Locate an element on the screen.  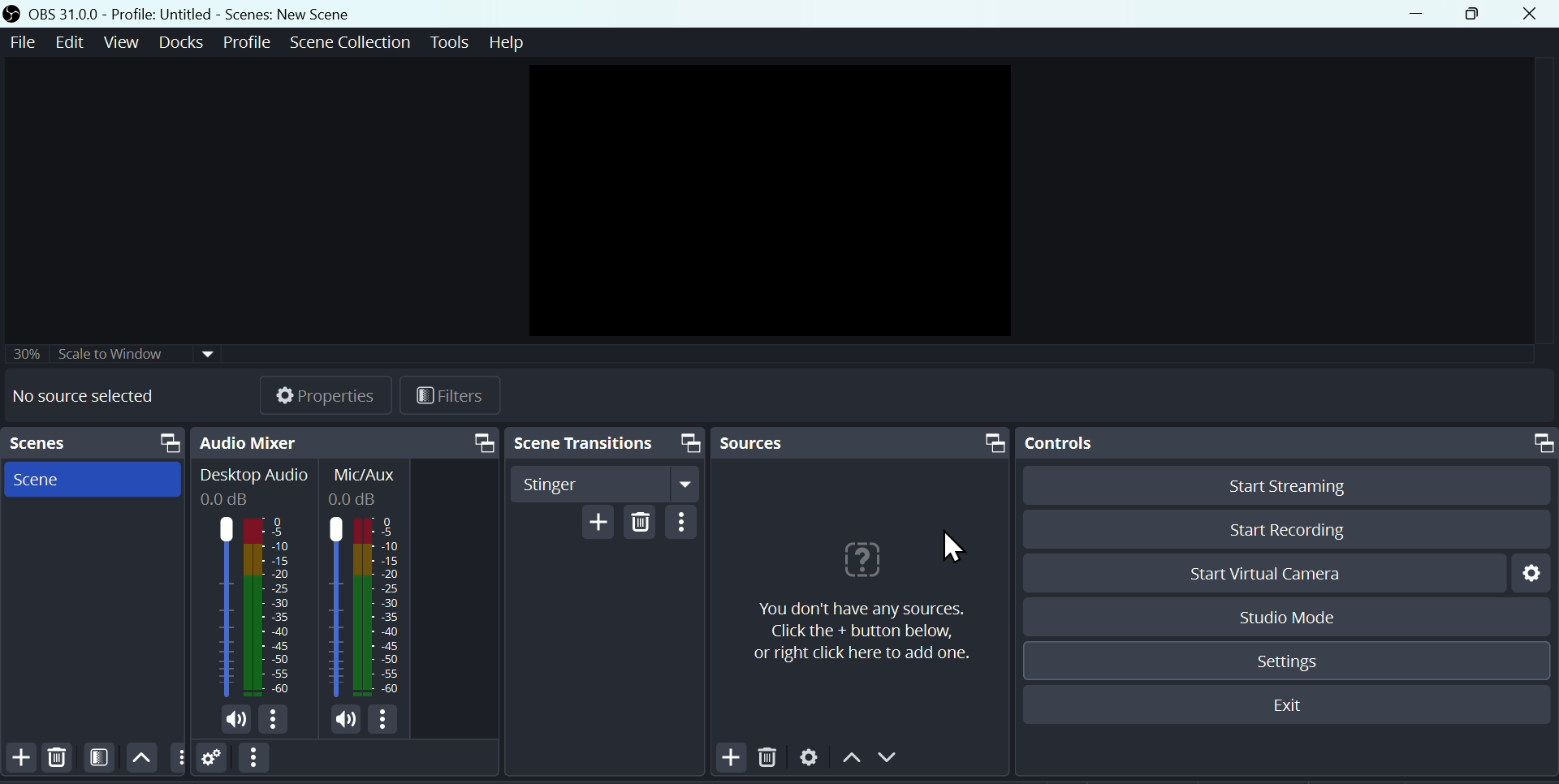
30% is located at coordinates (26, 351).